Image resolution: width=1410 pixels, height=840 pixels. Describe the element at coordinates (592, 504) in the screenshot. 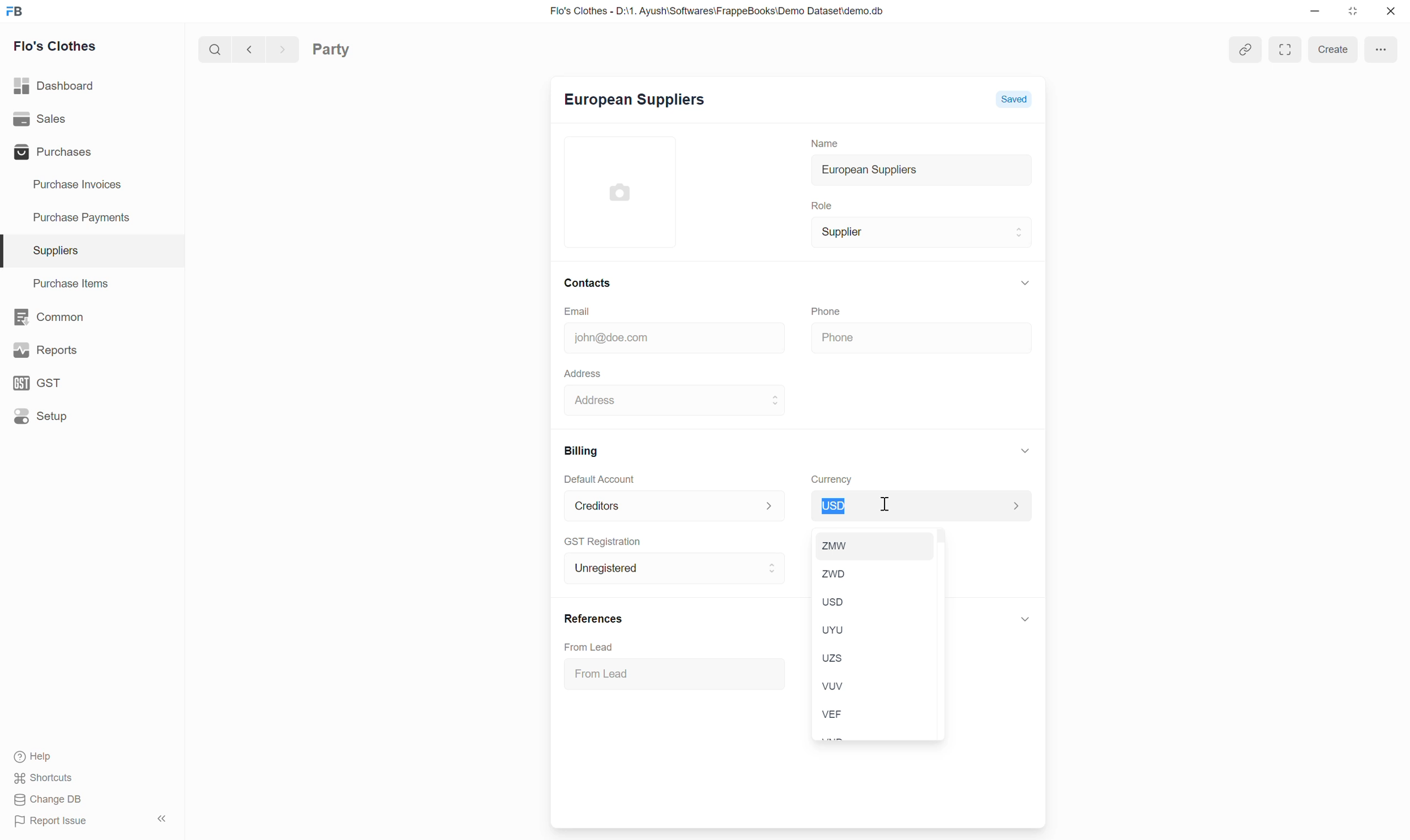

I see `Creditors` at that location.